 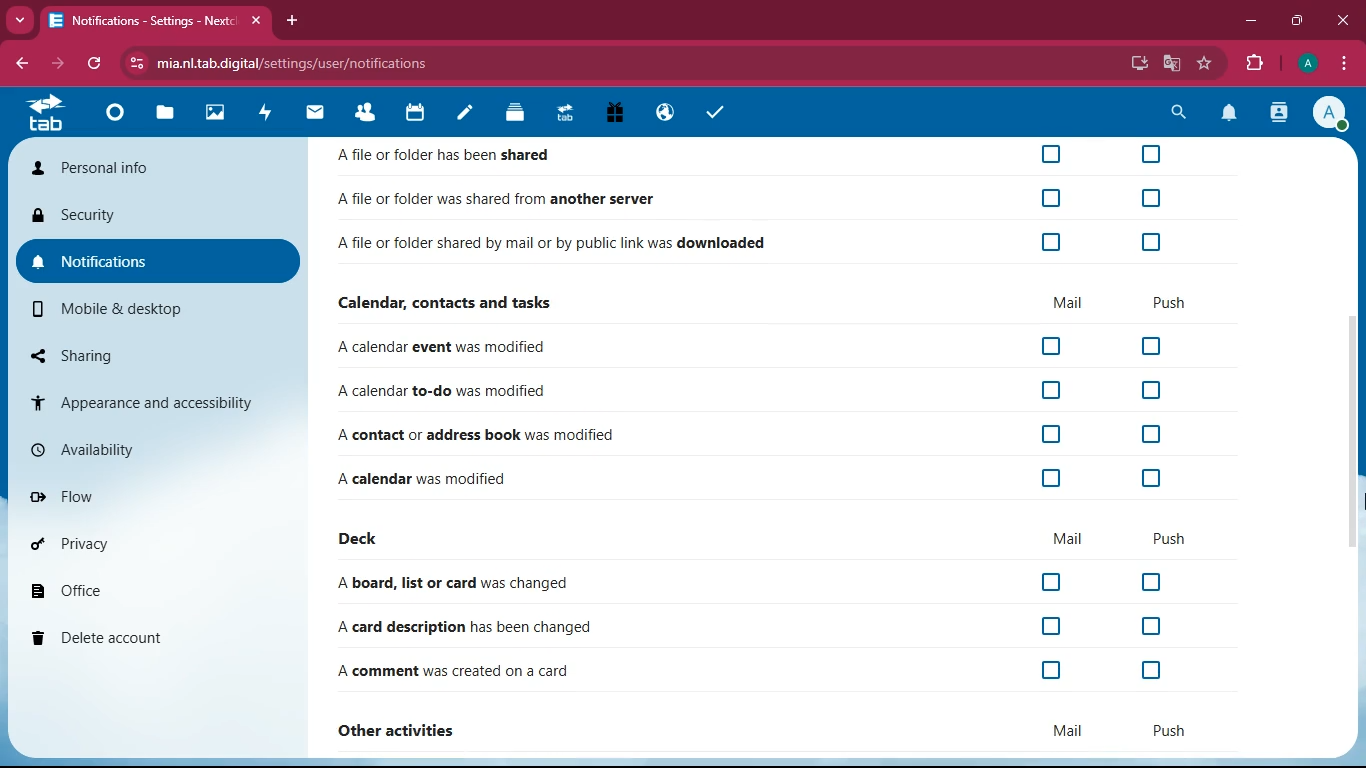 What do you see at coordinates (1170, 537) in the screenshot?
I see `push` at bounding box center [1170, 537].